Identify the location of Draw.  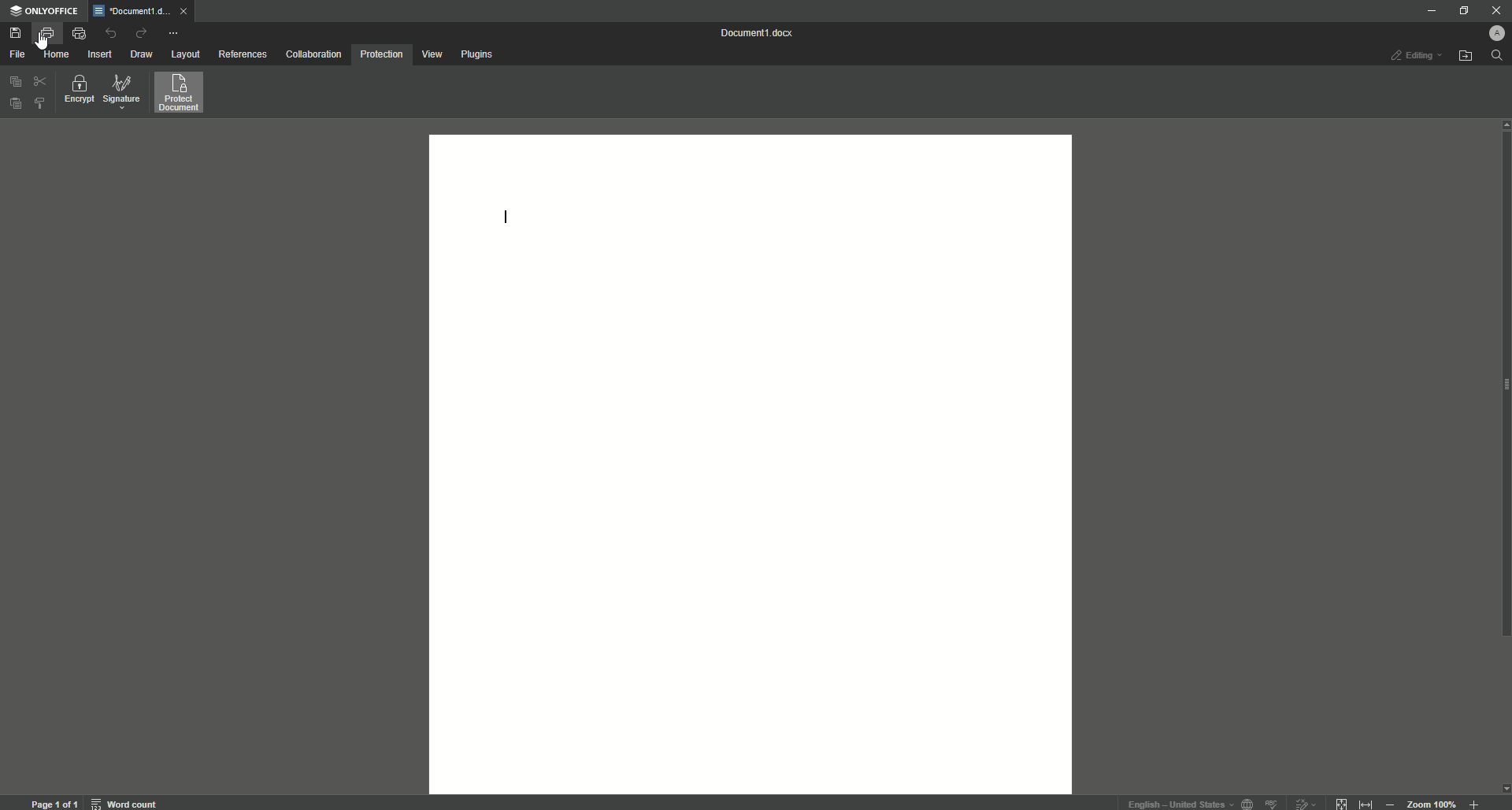
(142, 55).